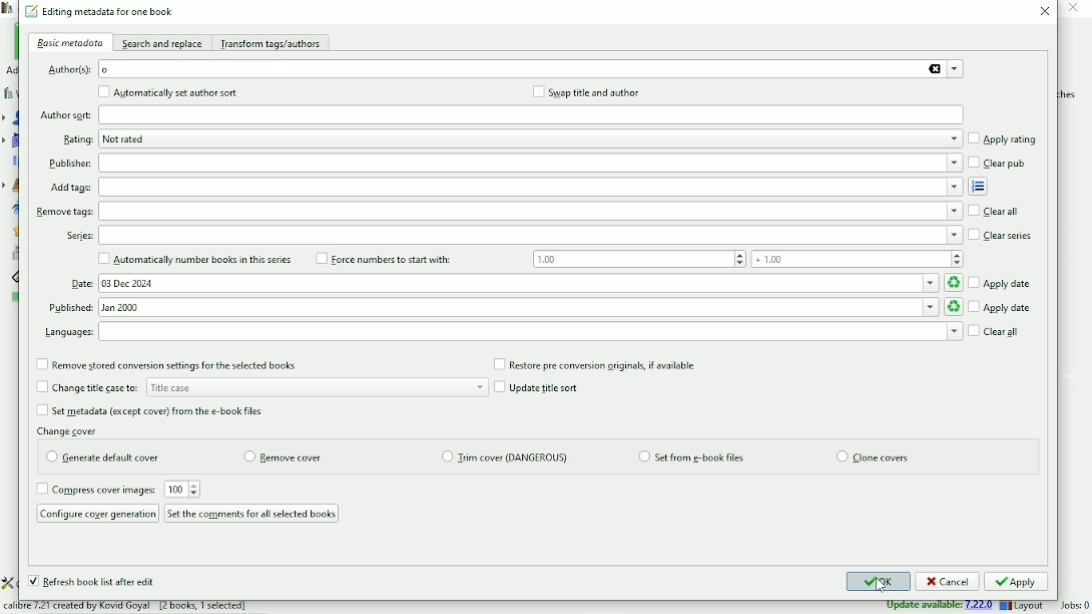  Describe the element at coordinates (197, 489) in the screenshot. I see `increment or decrement ` at that location.